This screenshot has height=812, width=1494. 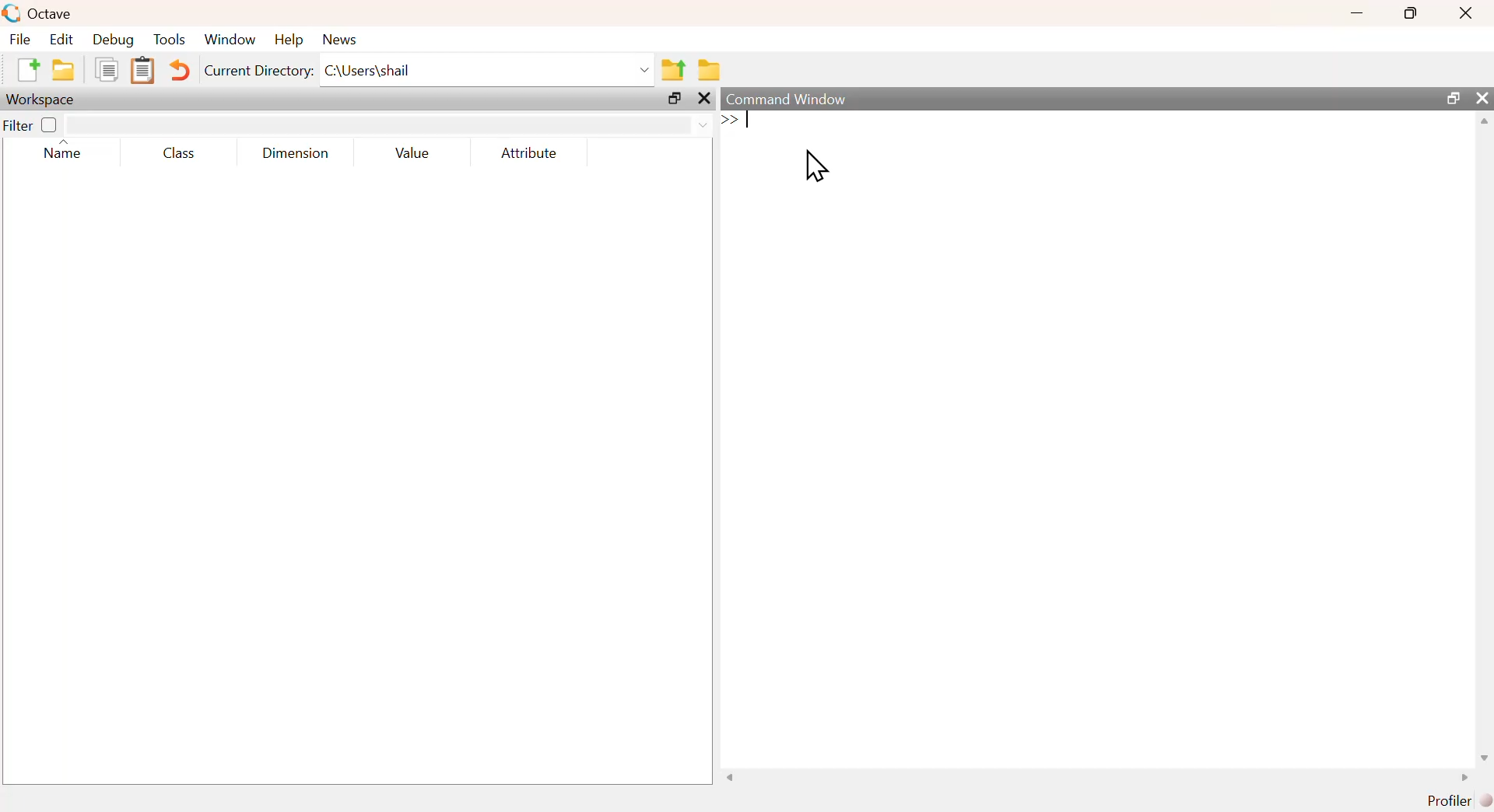 I want to click on paste, so click(x=142, y=71).